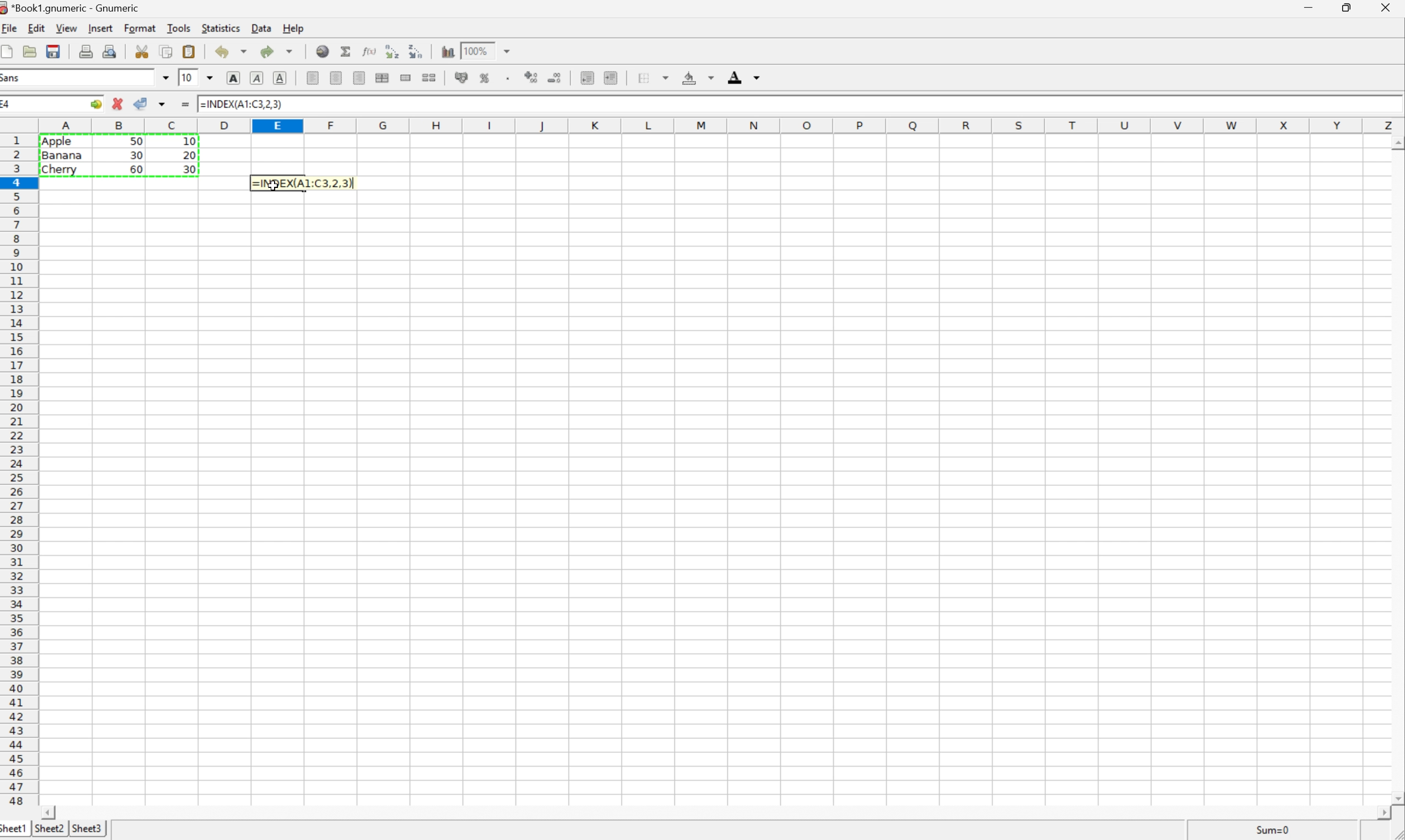  What do you see at coordinates (232, 50) in the screenshot?
I see `undo` at bounding box center [232, 50].